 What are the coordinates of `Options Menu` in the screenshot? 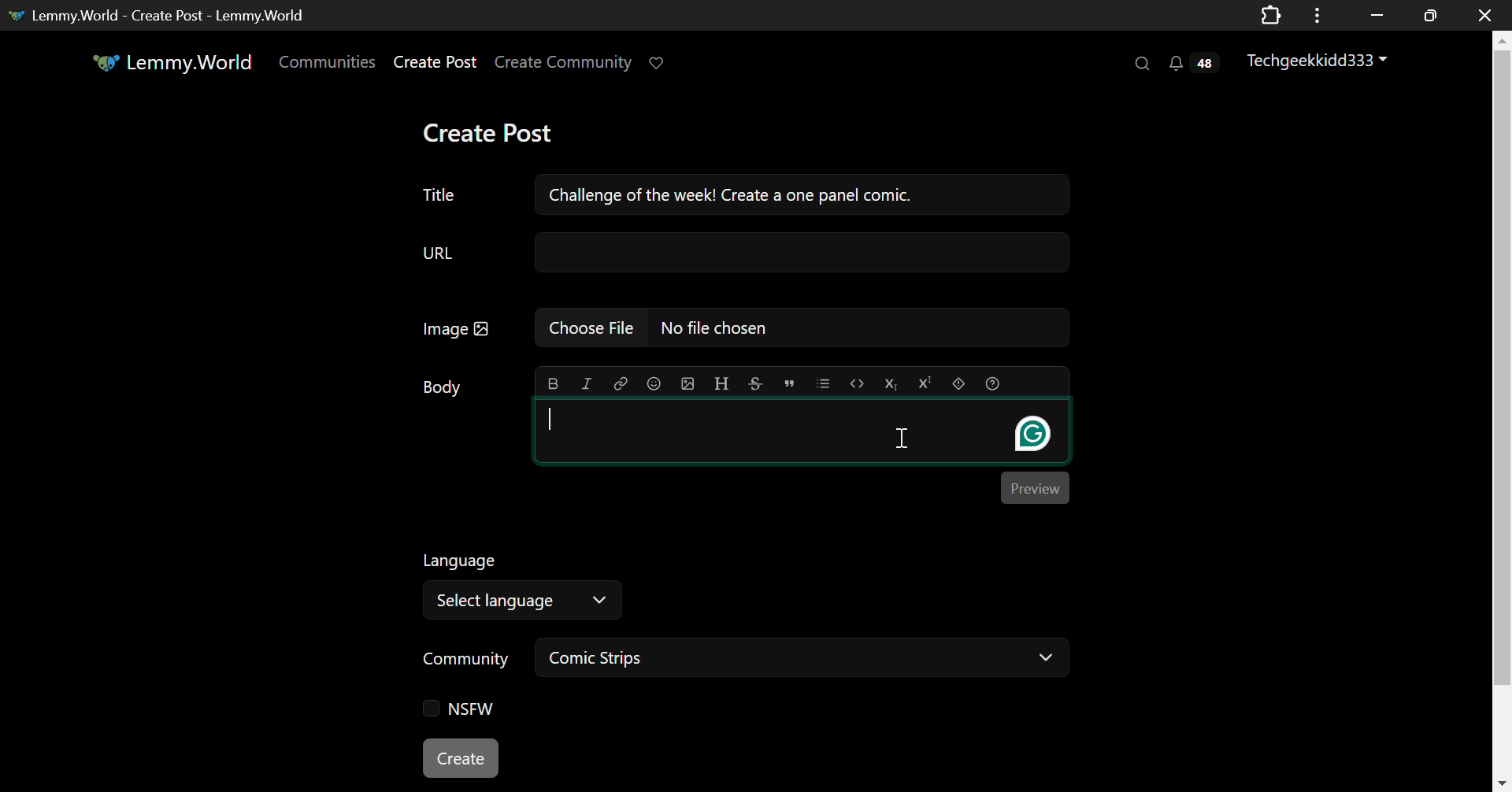 It's located at (1314, 14).